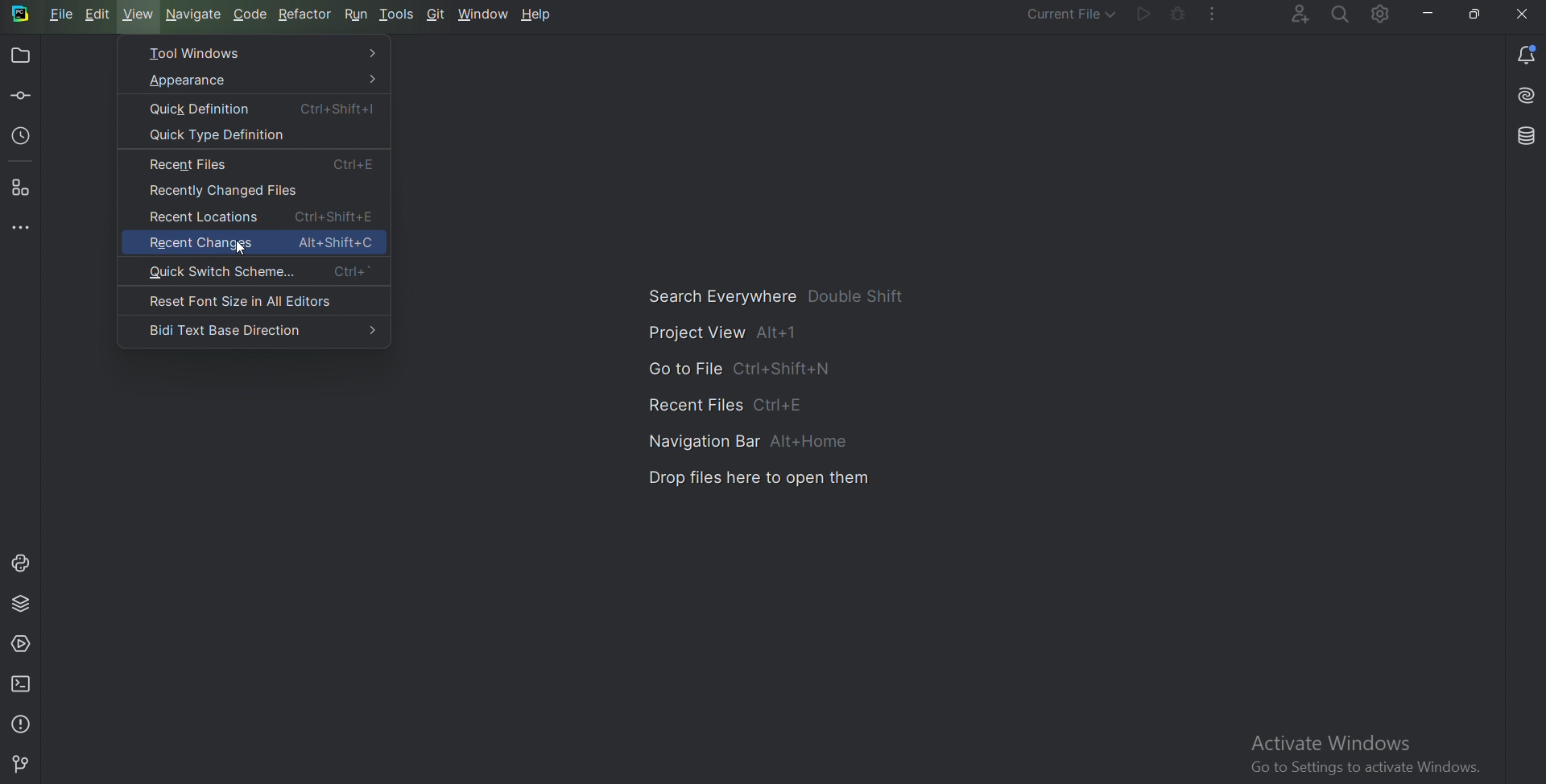 Image resolution: width=1546 pixels, height=784 pixels. Describe the element at coordinates (397, 14) in the screenshot. I see `Tools` at that location.